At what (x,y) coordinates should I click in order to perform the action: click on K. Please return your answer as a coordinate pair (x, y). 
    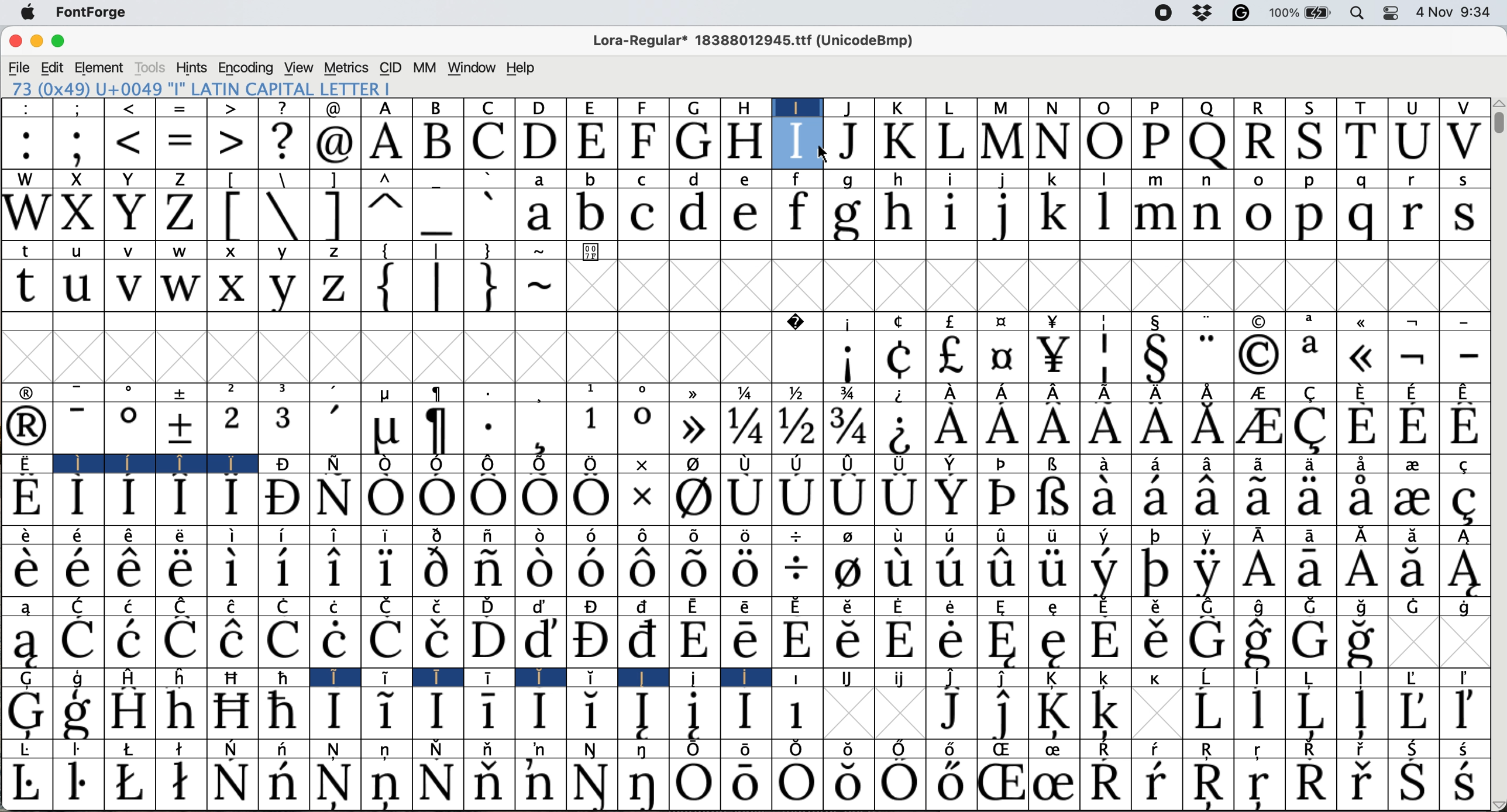
    Looking at the image, I should click on (901, 143).